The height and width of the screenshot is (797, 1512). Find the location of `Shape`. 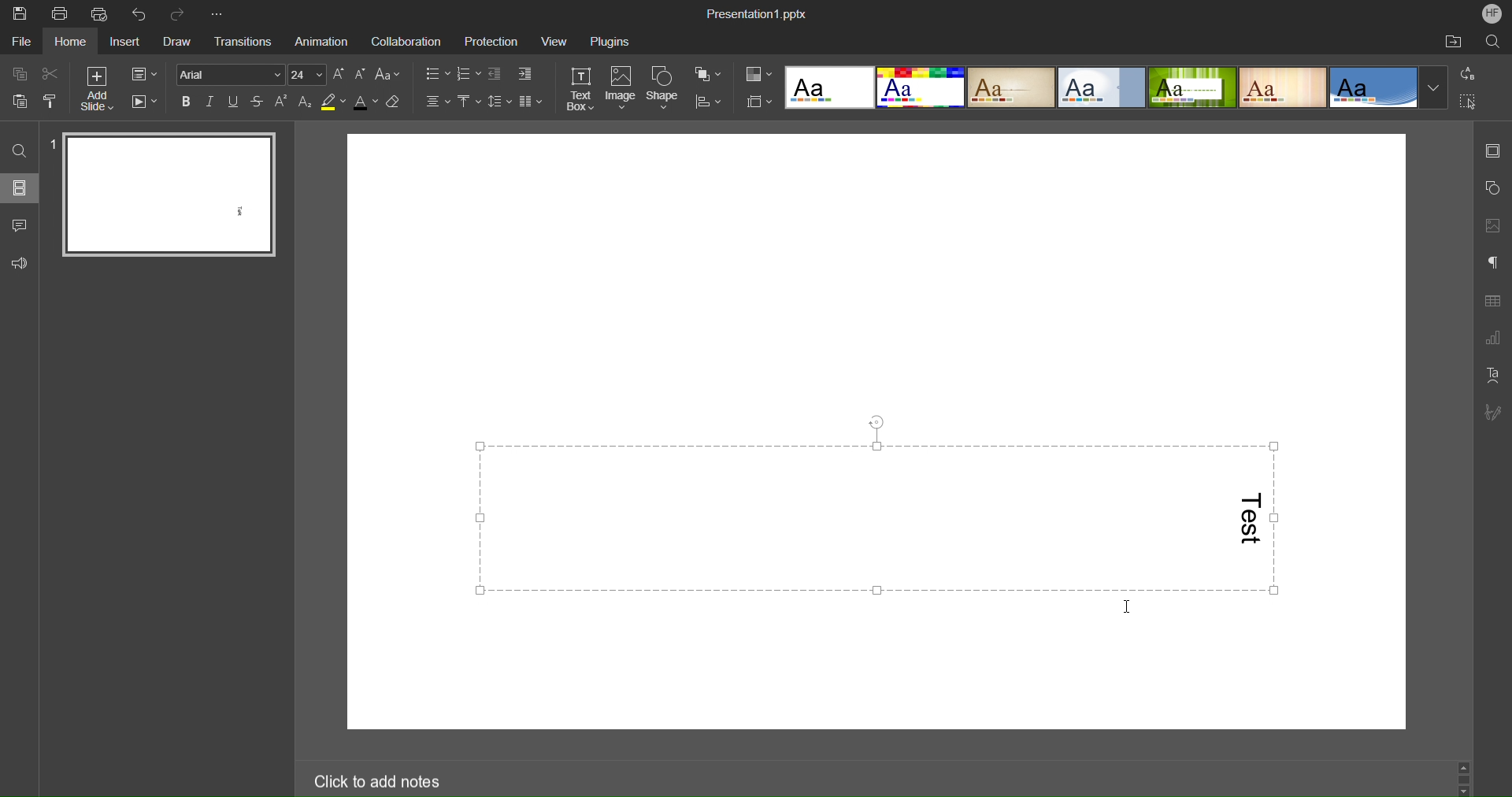

Shape is located at coordinates (665, 87).